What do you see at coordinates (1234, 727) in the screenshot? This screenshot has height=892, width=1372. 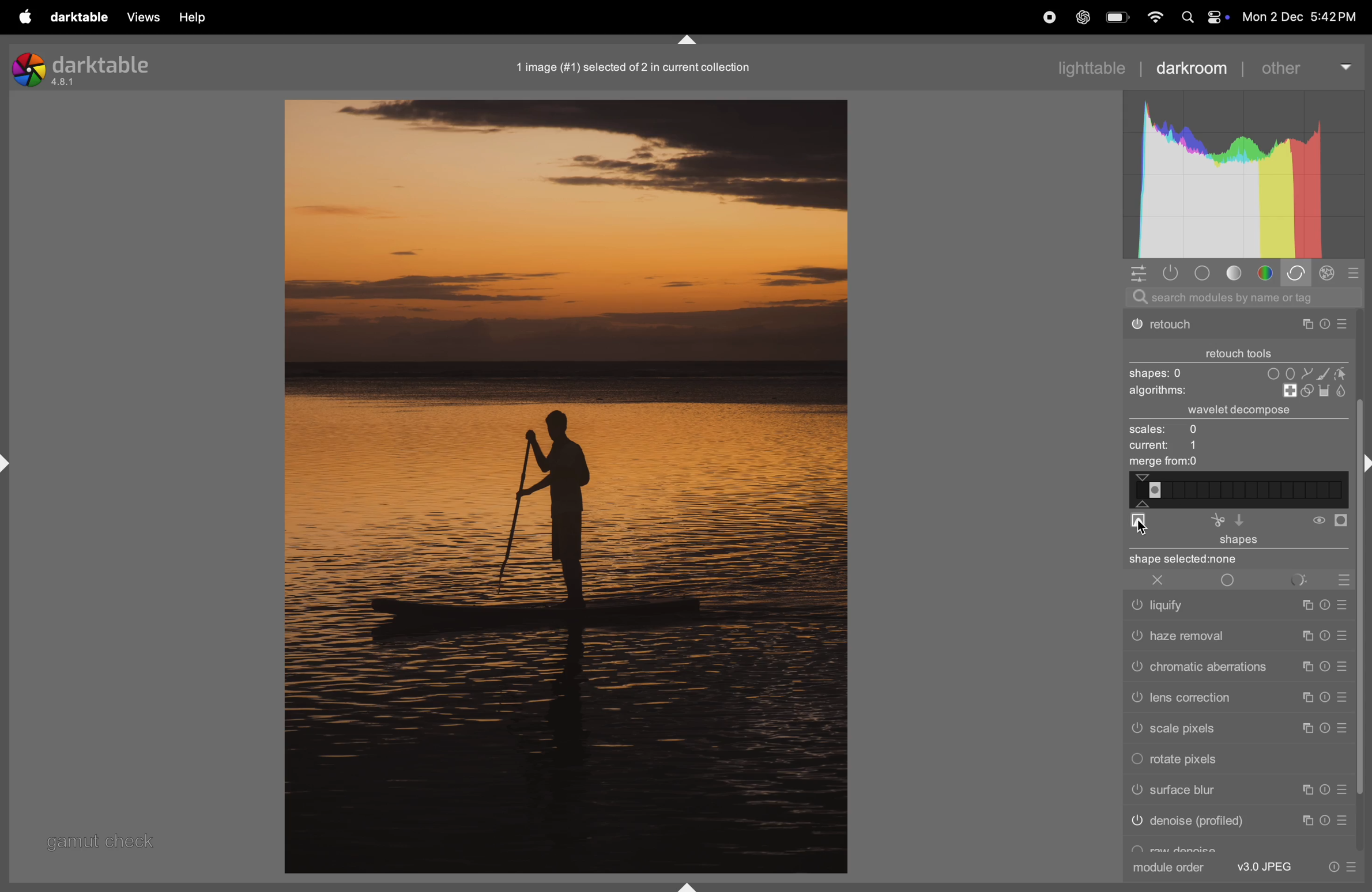 I see `scale pixels` at bounding box center [1234, 727].